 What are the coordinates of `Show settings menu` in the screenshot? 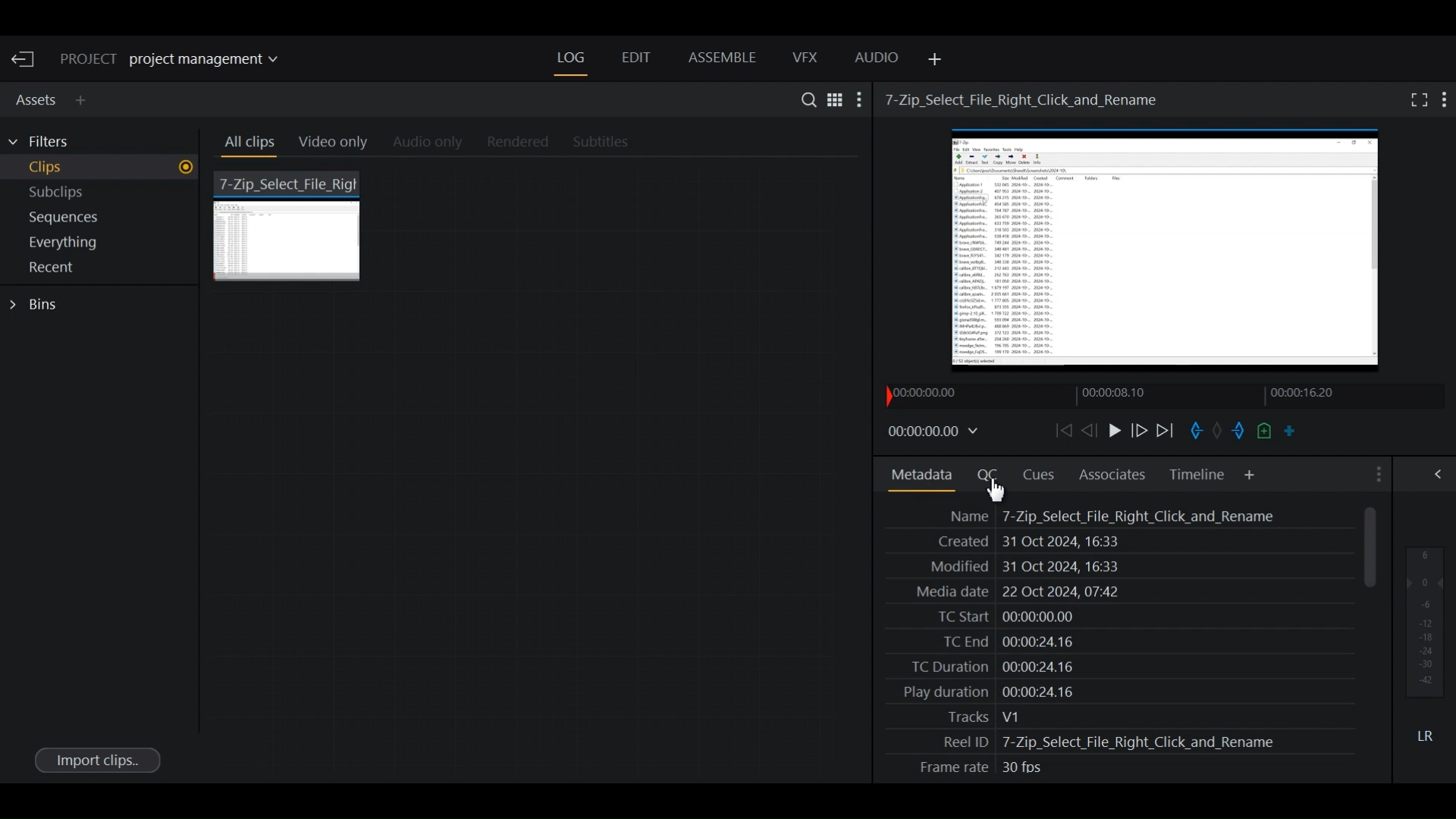 It's located at (1445, 99).